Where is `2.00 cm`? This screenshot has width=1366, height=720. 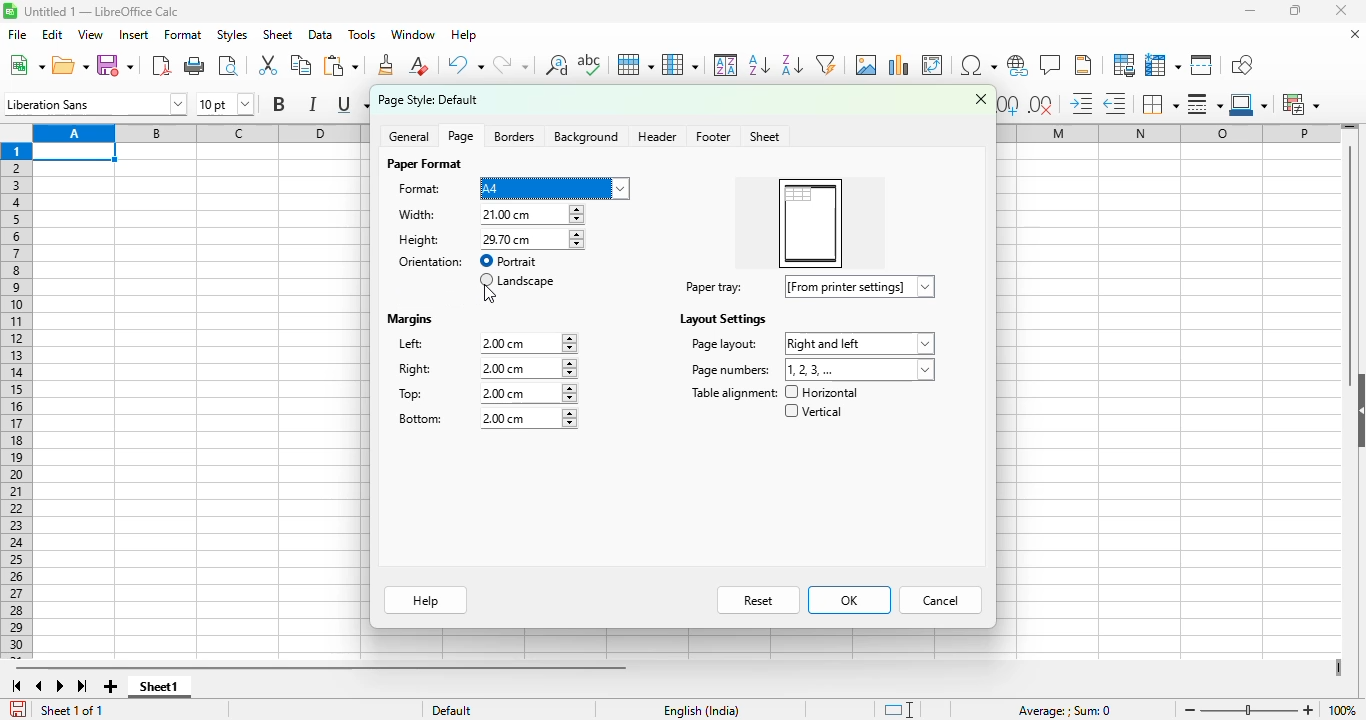
2.00 cm is located at coordinates (527, 419).